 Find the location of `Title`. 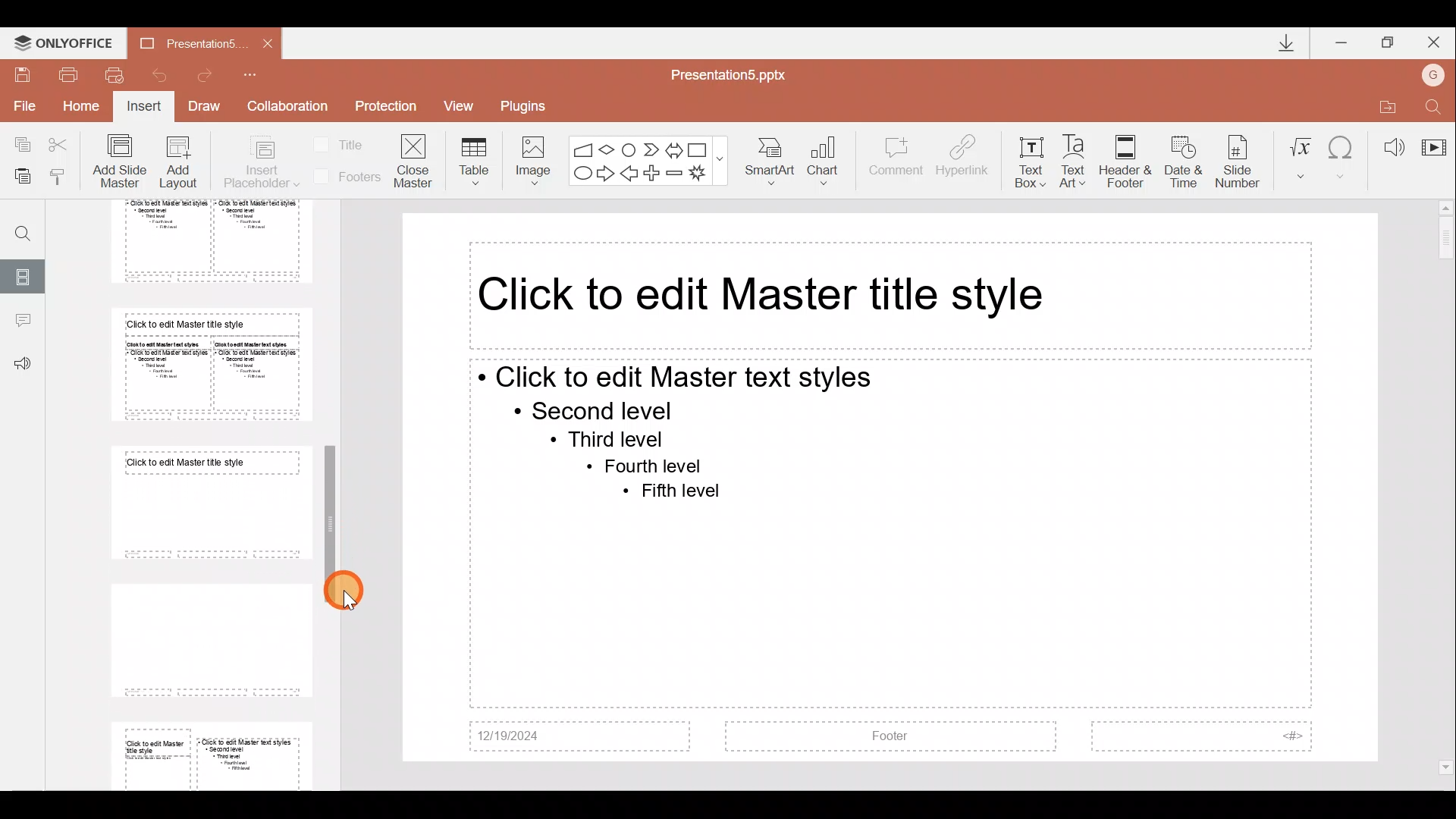

Title is located at coordinates (343, 143).